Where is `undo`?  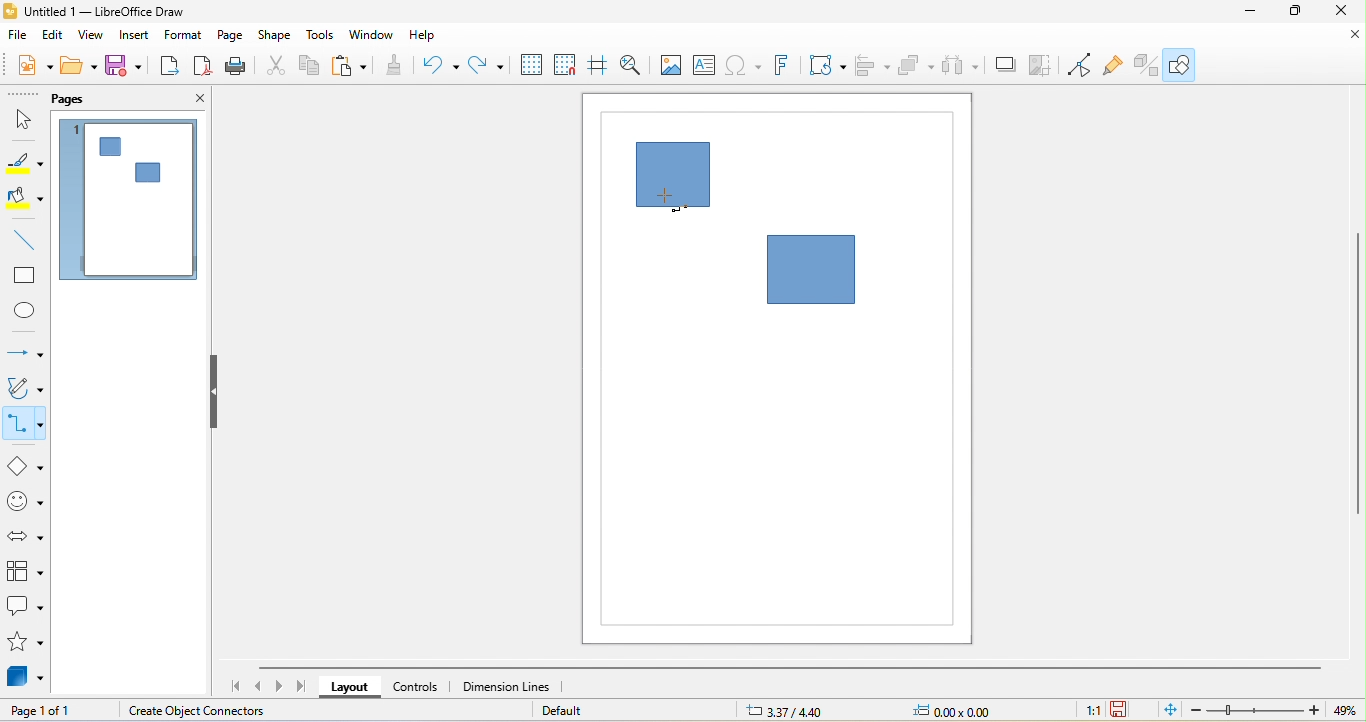
undo is located at coordinates (443, 67).